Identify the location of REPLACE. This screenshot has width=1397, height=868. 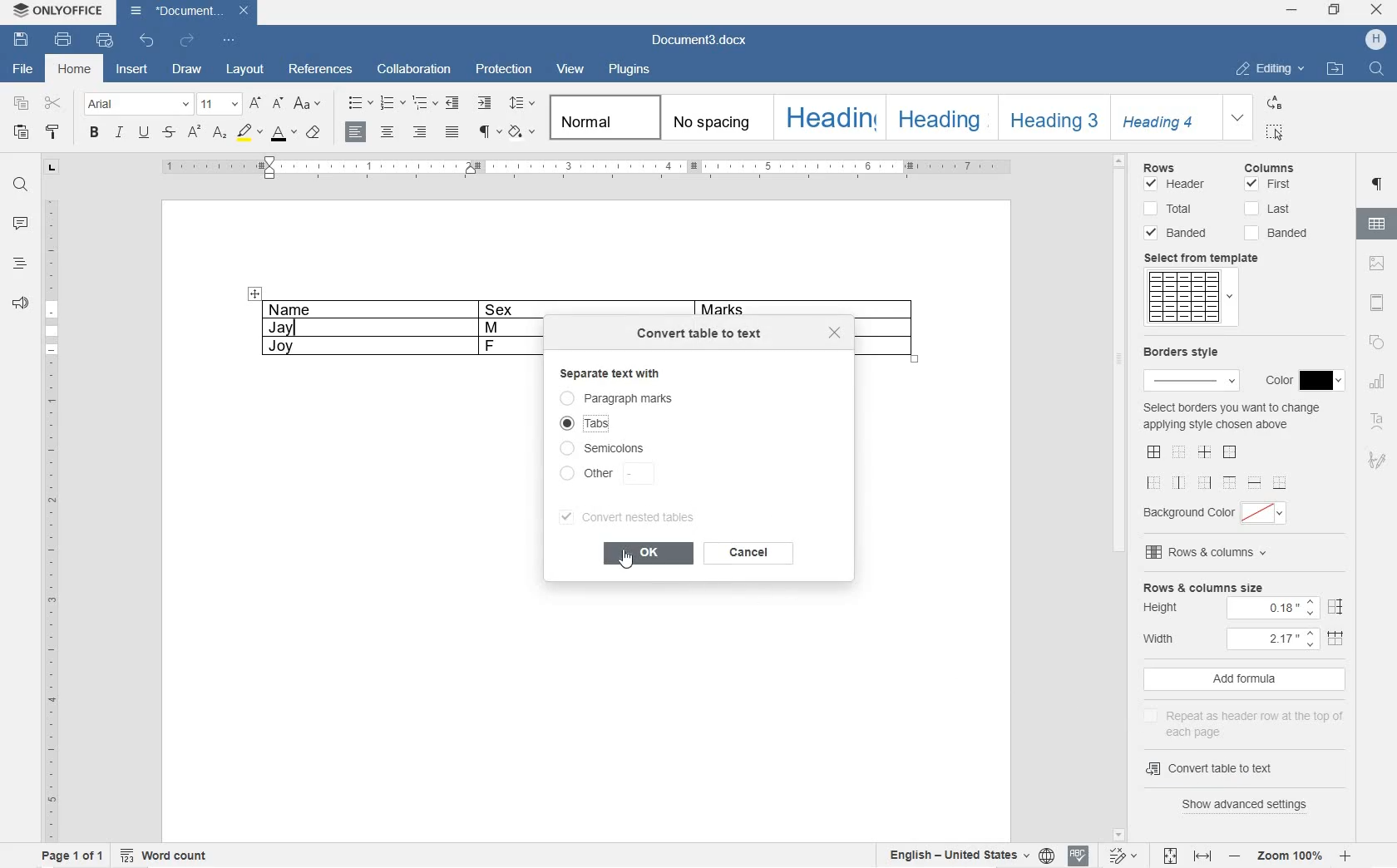
(1275, 102).